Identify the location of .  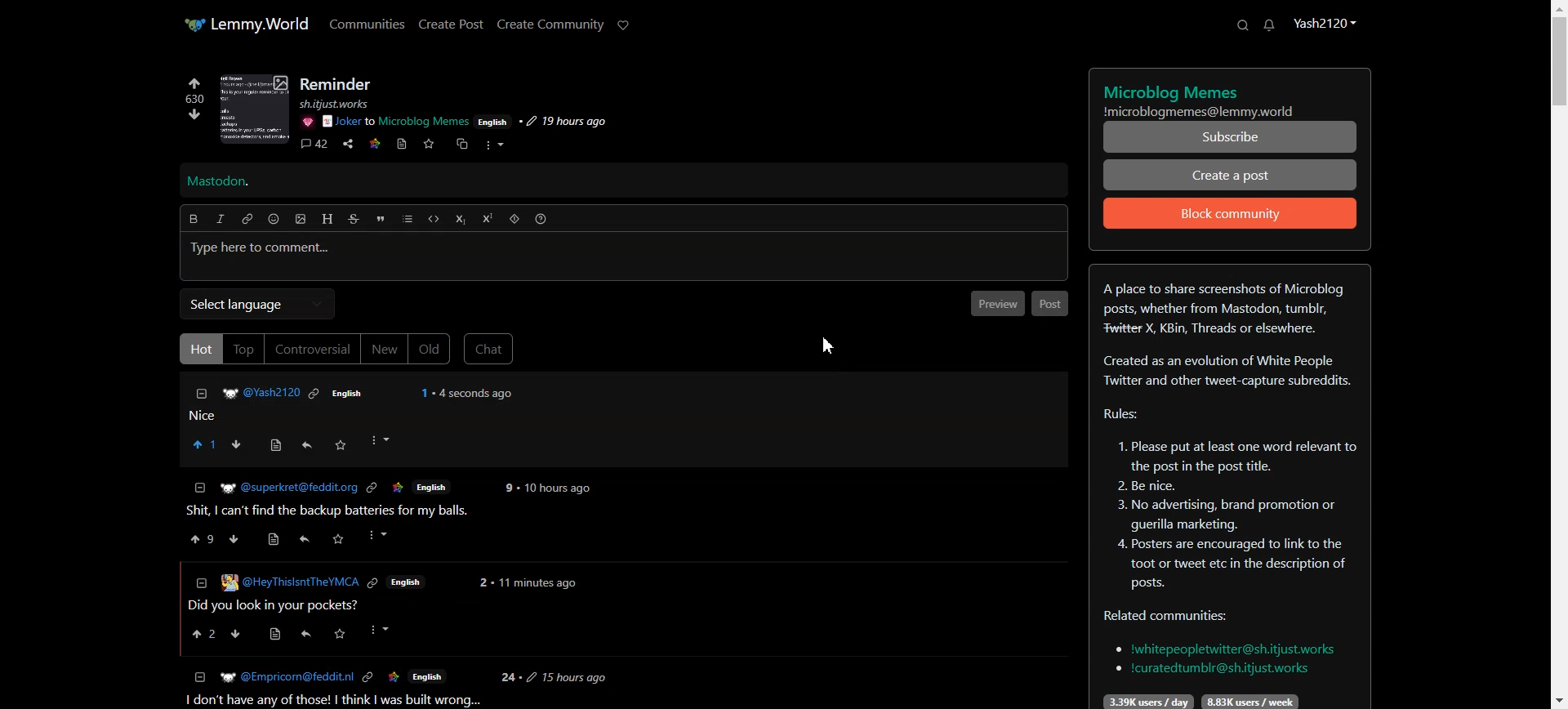
(345, 634).